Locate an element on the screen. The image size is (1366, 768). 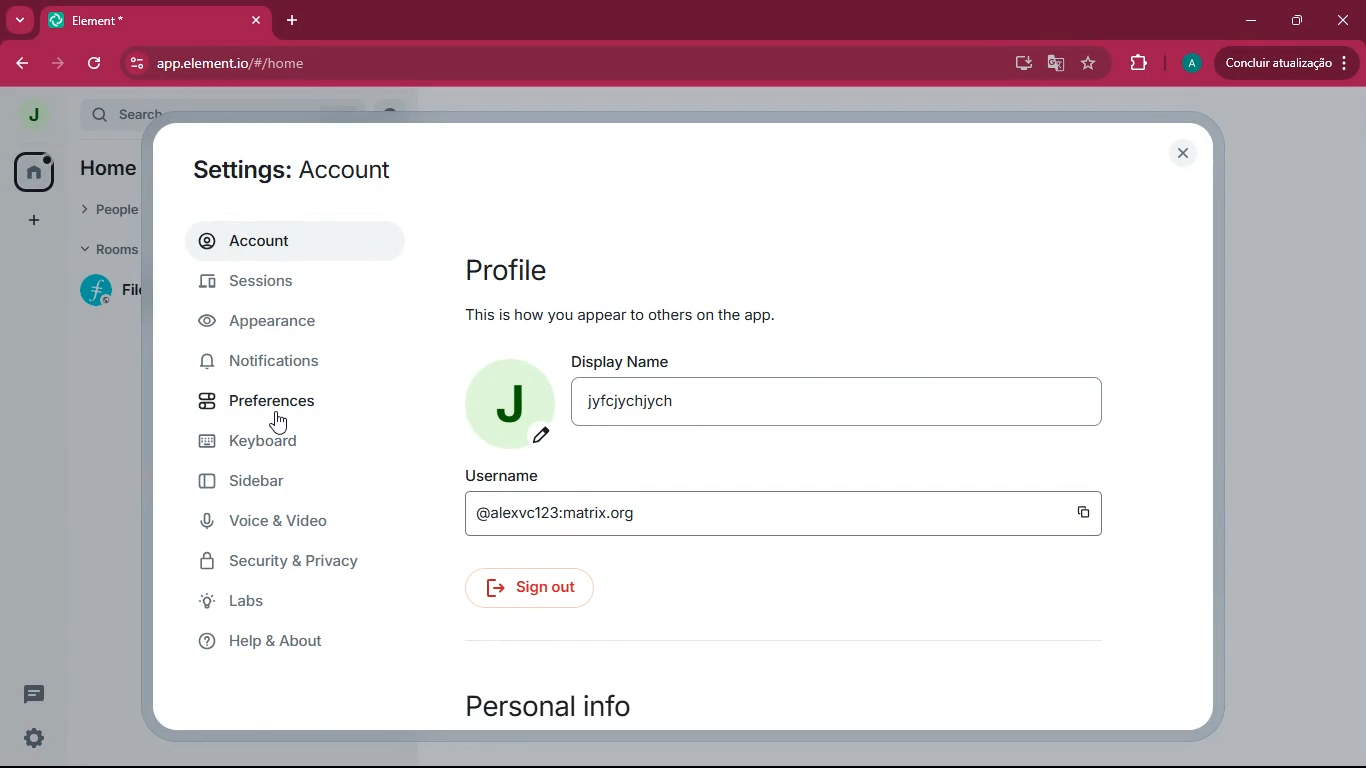
close is located at coordinates (1184, 152).